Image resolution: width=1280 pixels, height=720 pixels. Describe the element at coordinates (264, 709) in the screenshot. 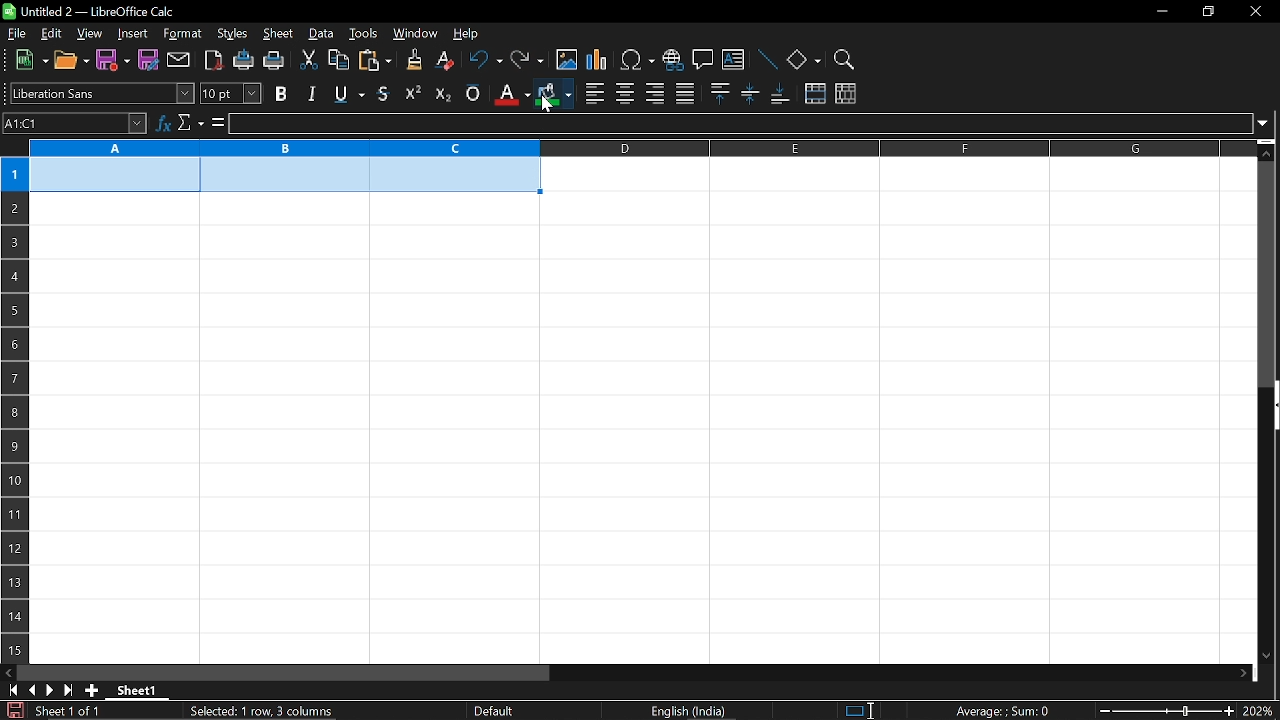

I see `Selected: 1 row, 3 columns` at that location.